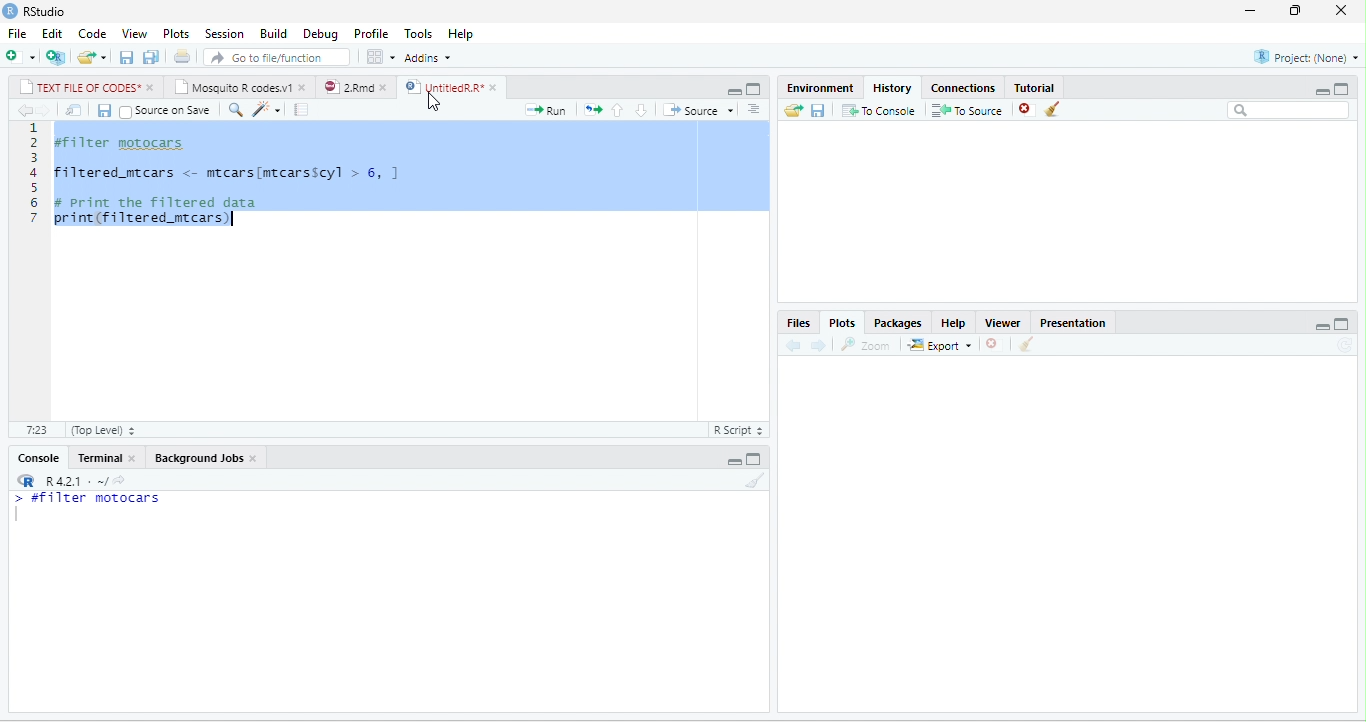  What do you see at coordinates (37, 458) in the screenshot?
I see `Console` at bounding box center [37, 458].